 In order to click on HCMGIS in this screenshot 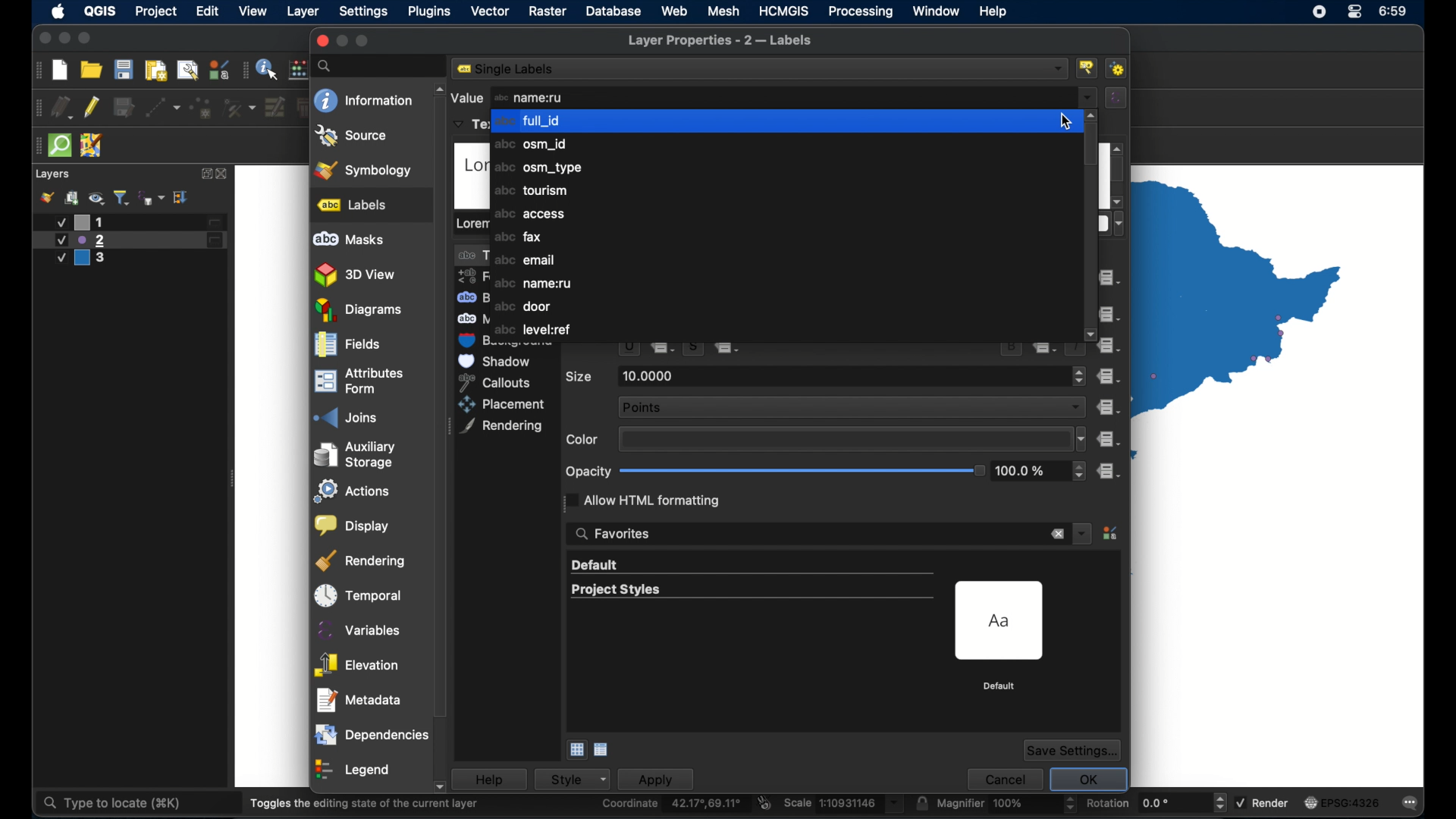, I will do `click(784, 11)`.